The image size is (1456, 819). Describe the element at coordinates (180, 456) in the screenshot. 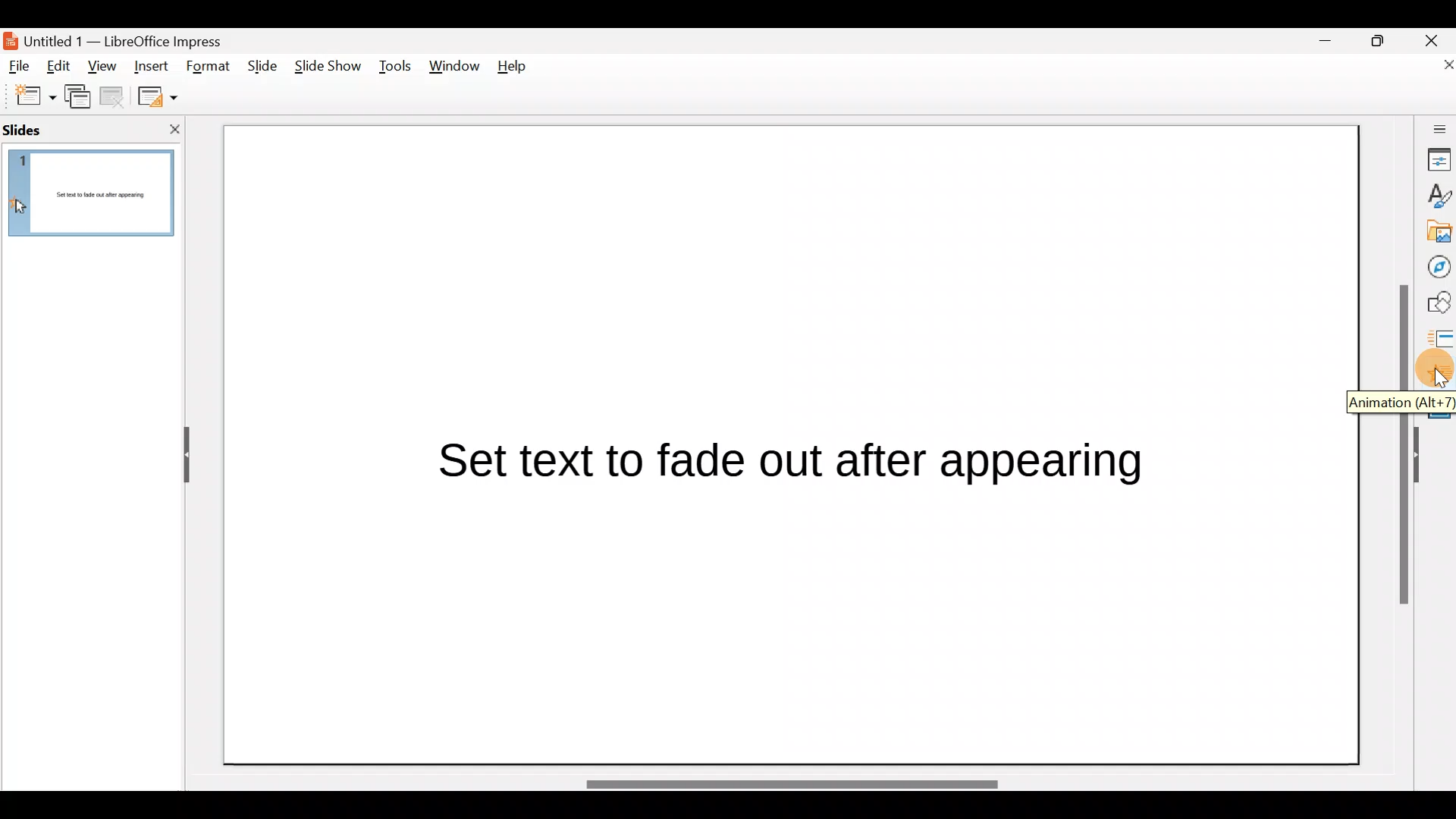

I see `Hide` at that location.